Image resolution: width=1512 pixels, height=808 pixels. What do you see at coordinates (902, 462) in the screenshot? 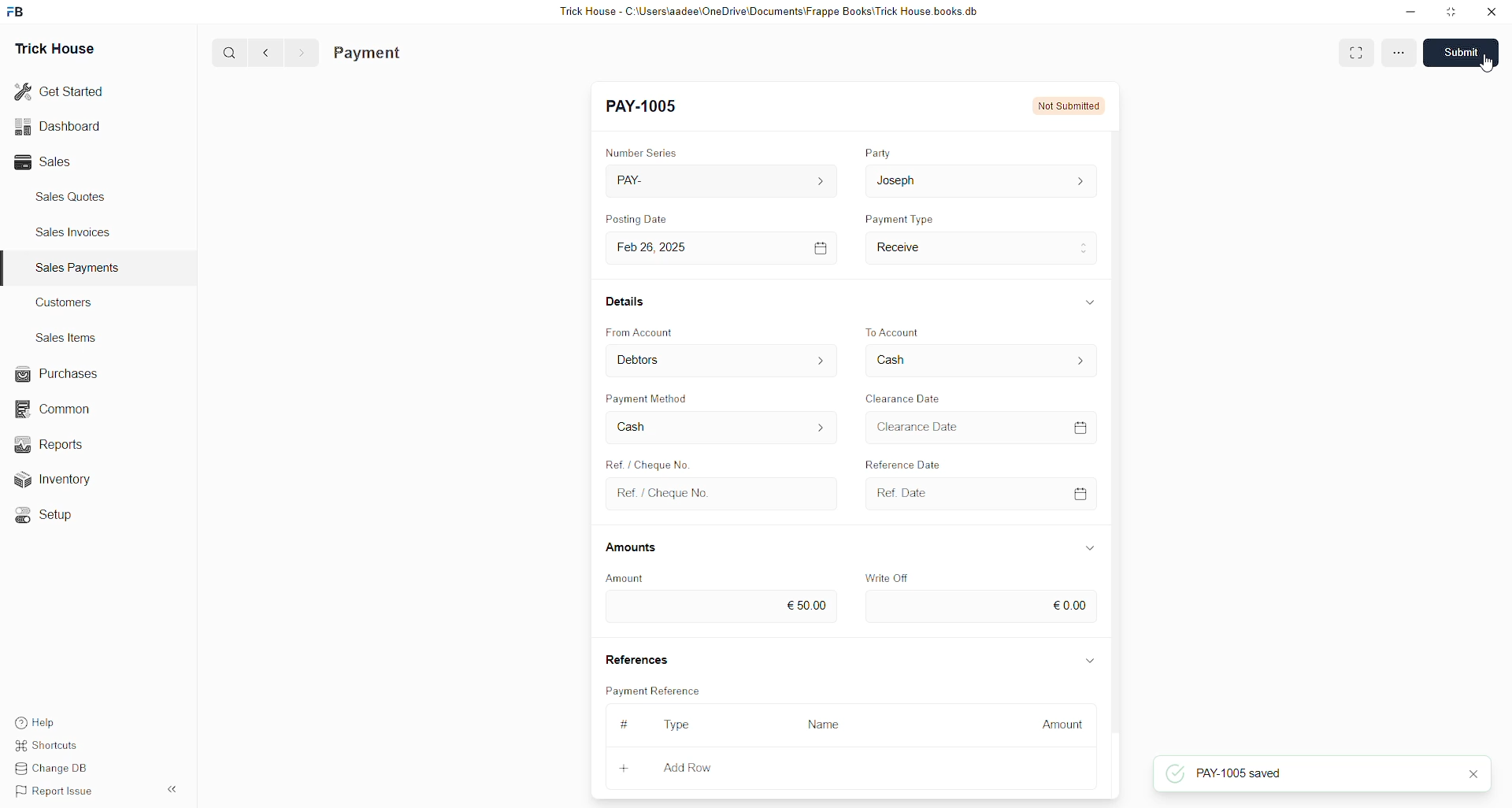
I see `Reference Date` at bounding box center [902, 462].